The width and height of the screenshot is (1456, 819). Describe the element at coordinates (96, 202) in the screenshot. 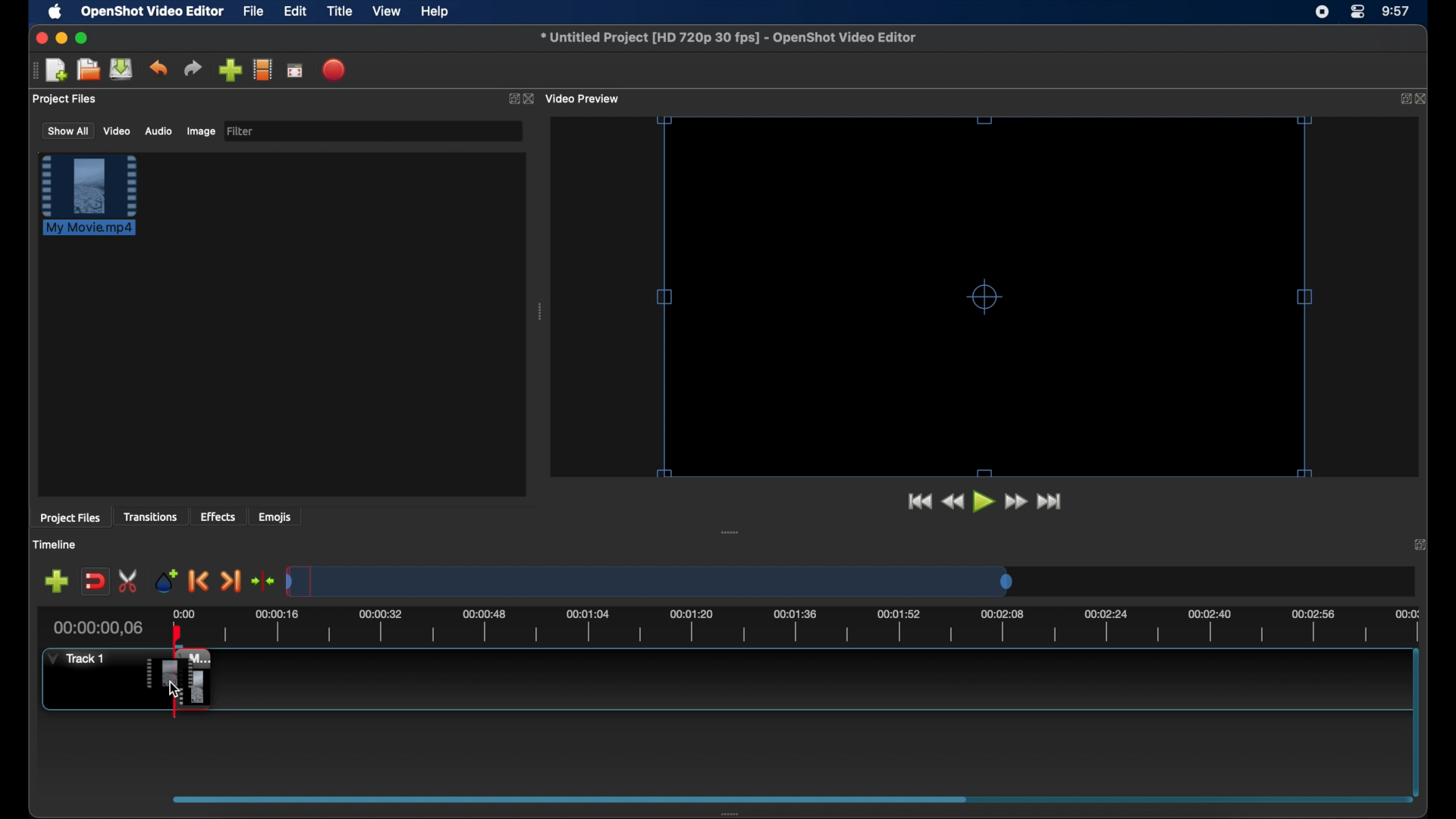

I see `clip highlighted` at that location.